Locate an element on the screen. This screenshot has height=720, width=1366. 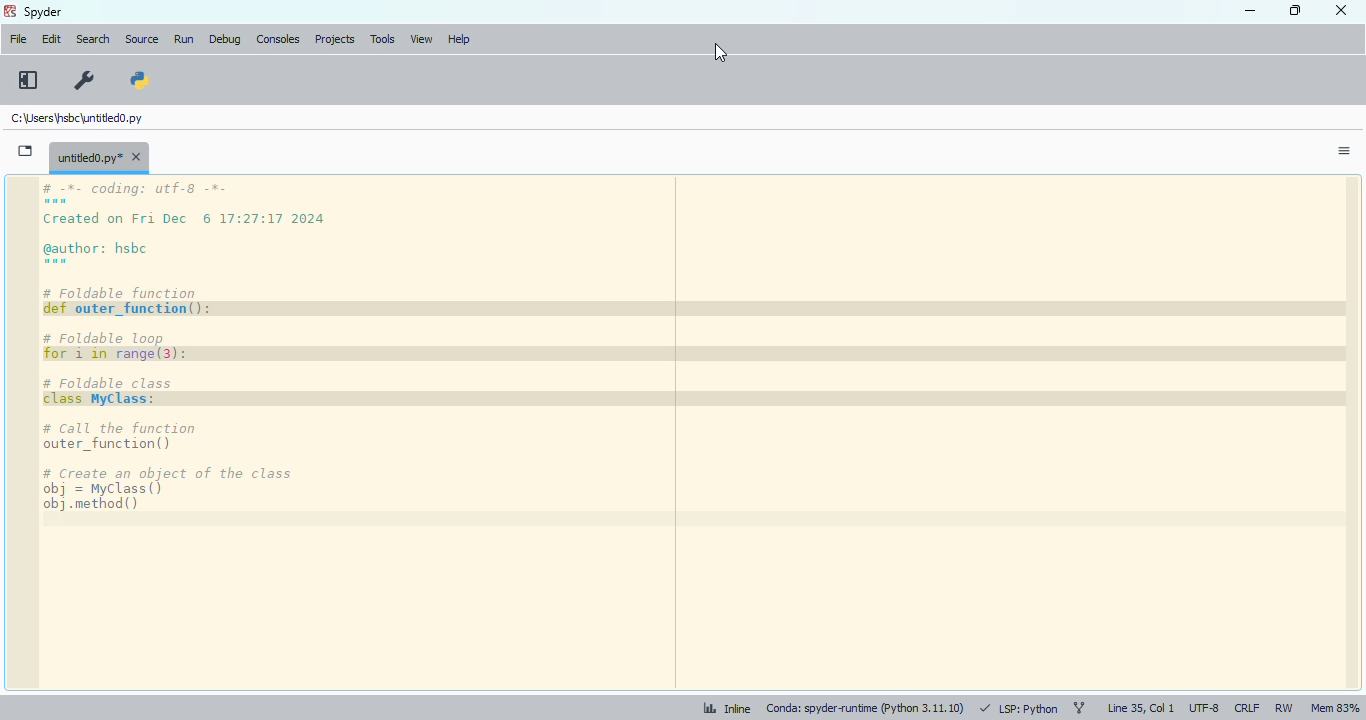
RW is located at coordinates (1284, 707).